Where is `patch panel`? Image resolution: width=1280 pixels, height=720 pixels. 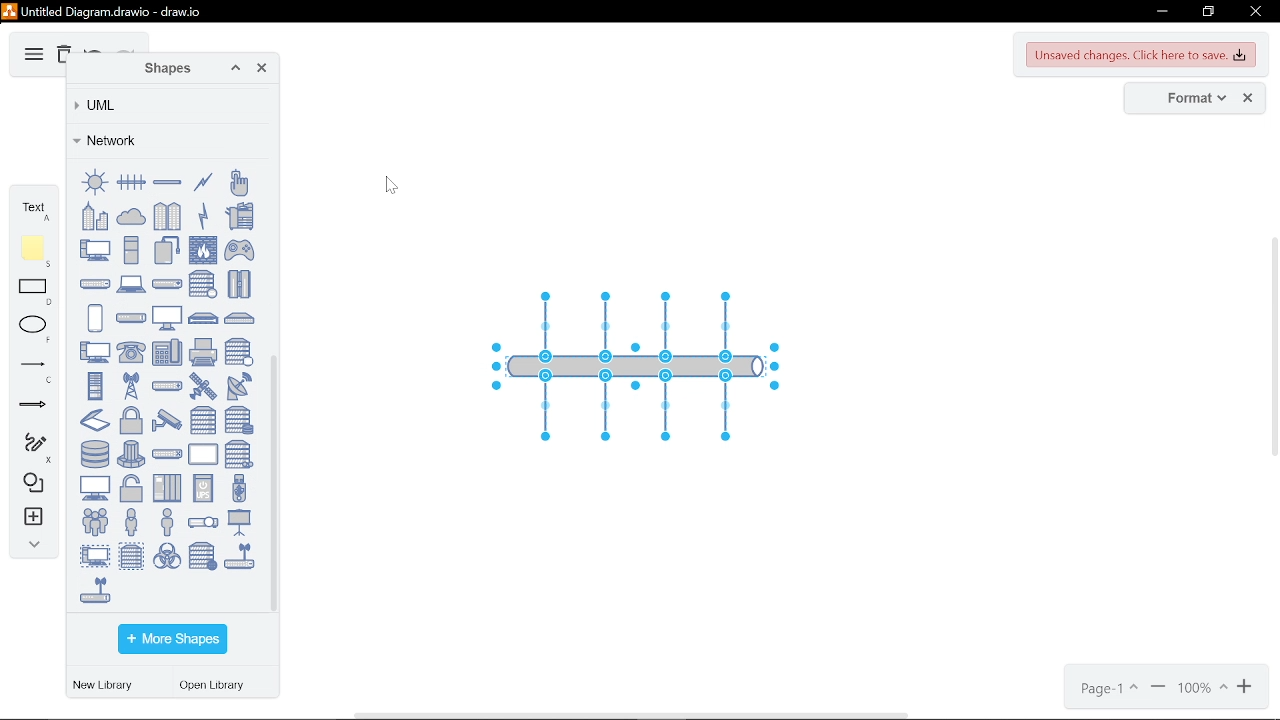 patch panel is located at coordinates (239, 318).